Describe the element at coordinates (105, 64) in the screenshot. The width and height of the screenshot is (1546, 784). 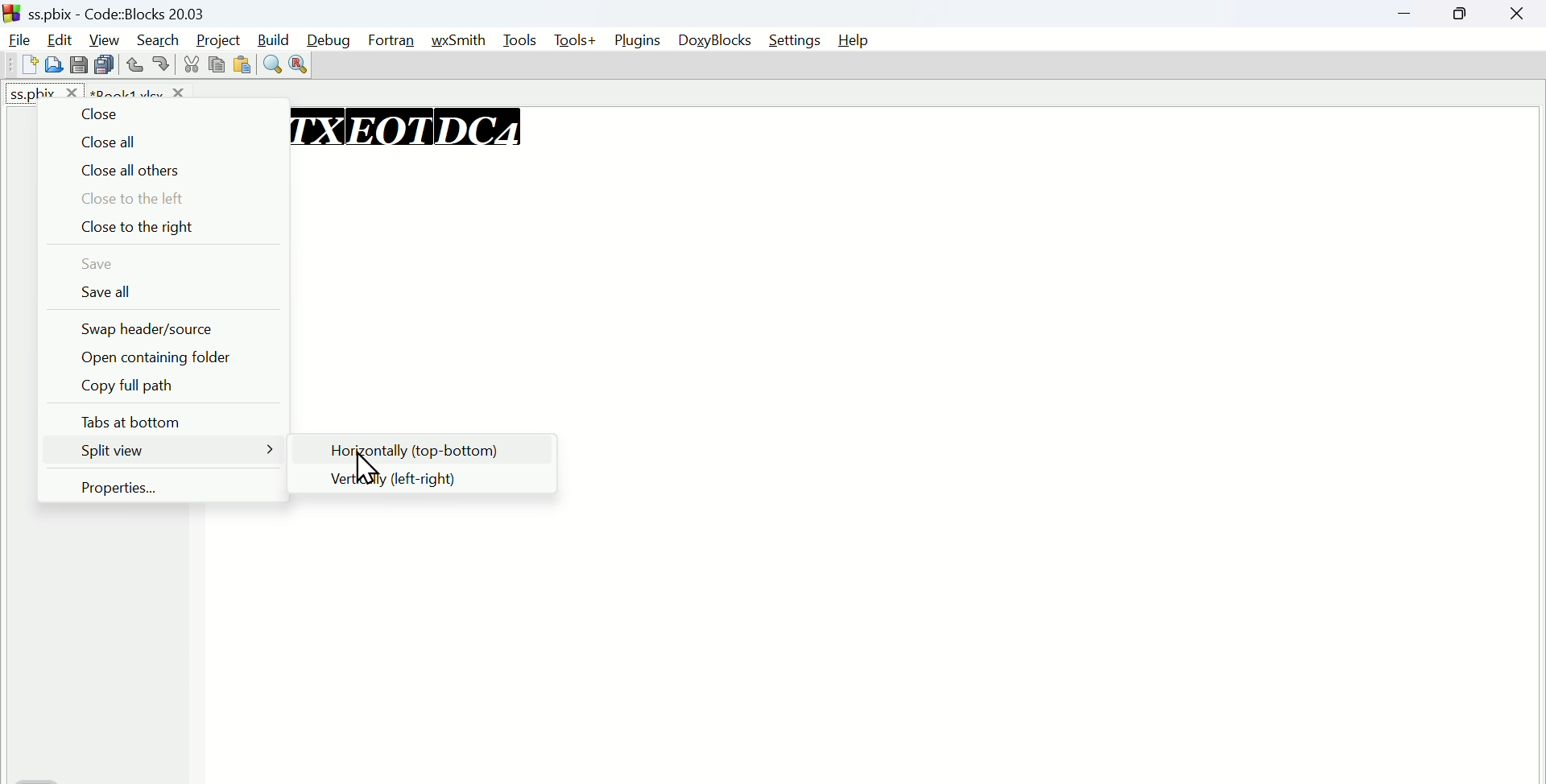
I see `Paste` at that location.